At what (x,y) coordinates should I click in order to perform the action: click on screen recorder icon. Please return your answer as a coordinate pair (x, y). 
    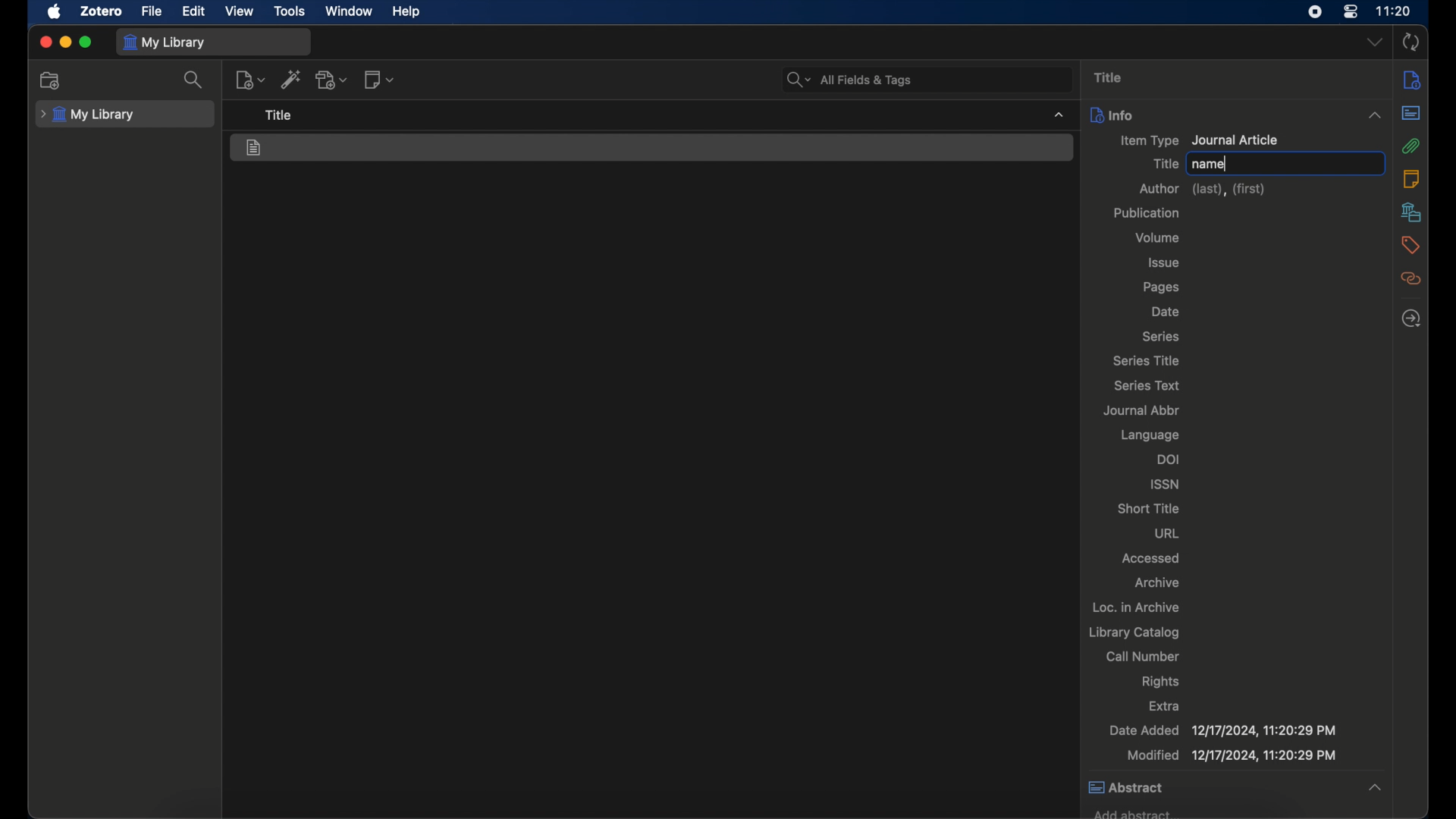
    Looking at the image, I should click on (1316, 12).